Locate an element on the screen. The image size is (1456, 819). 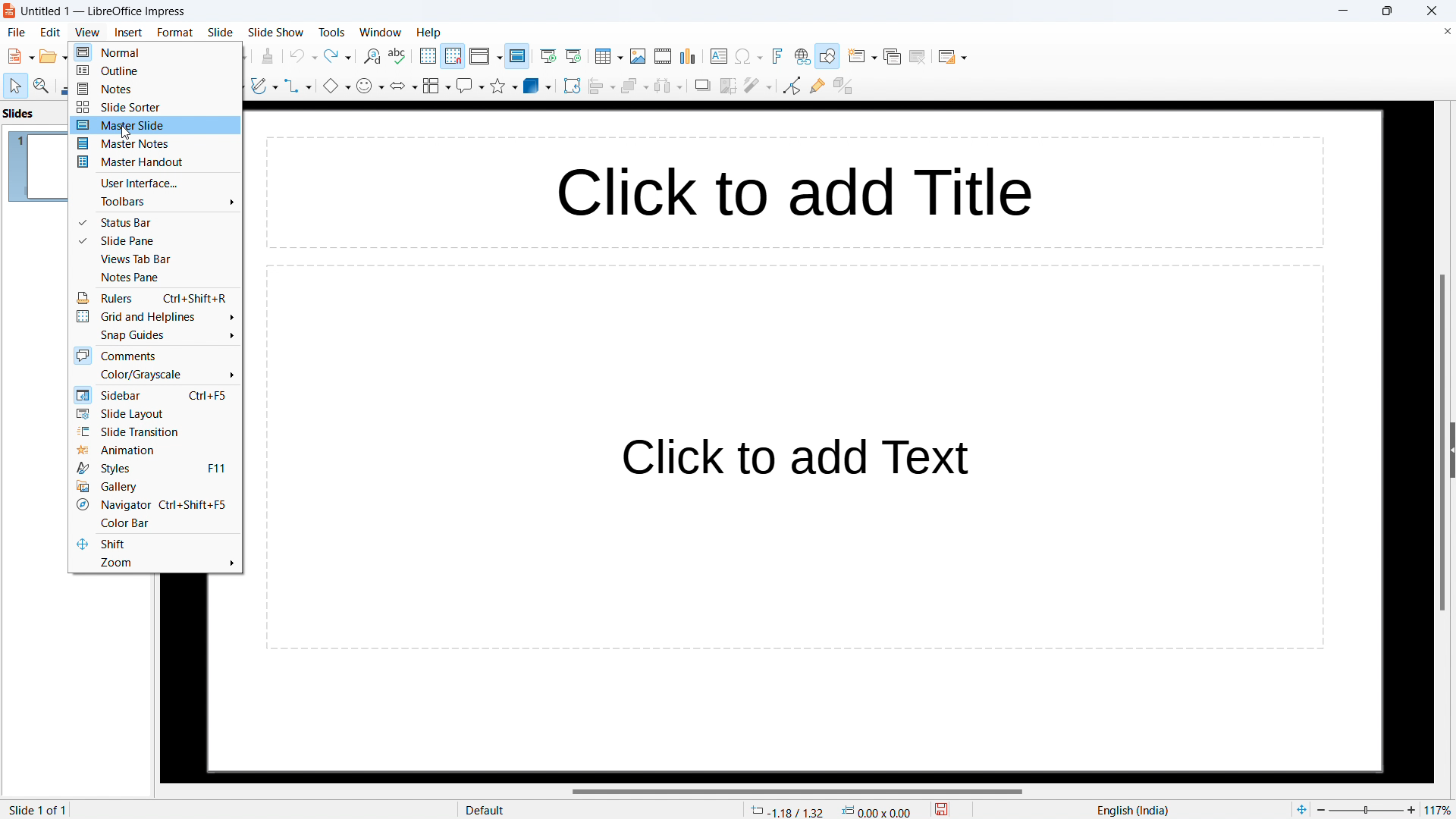
format is located at coordinates (174, 32).